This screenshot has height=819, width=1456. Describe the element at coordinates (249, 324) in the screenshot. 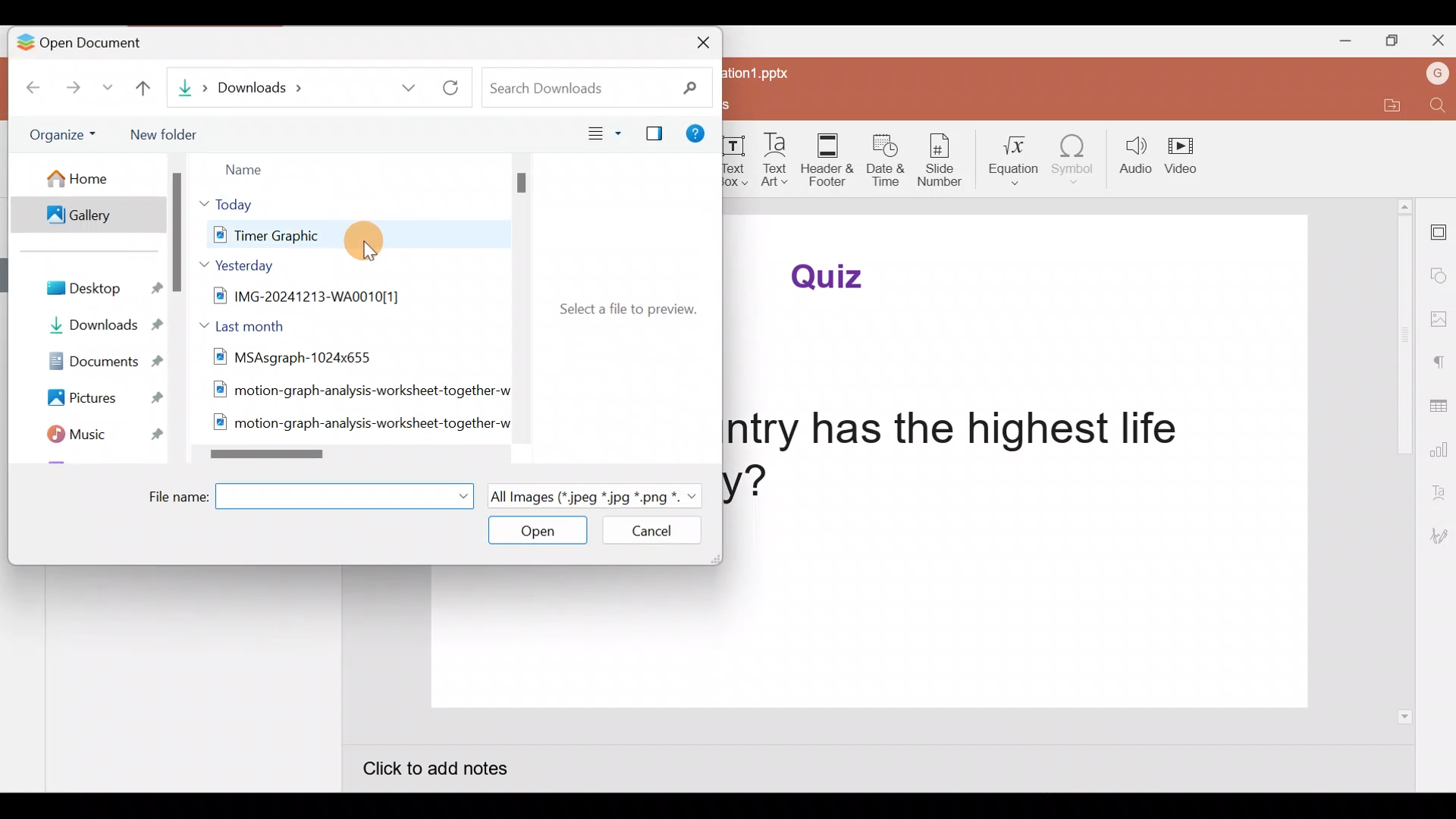

I see `Last month` at that location.